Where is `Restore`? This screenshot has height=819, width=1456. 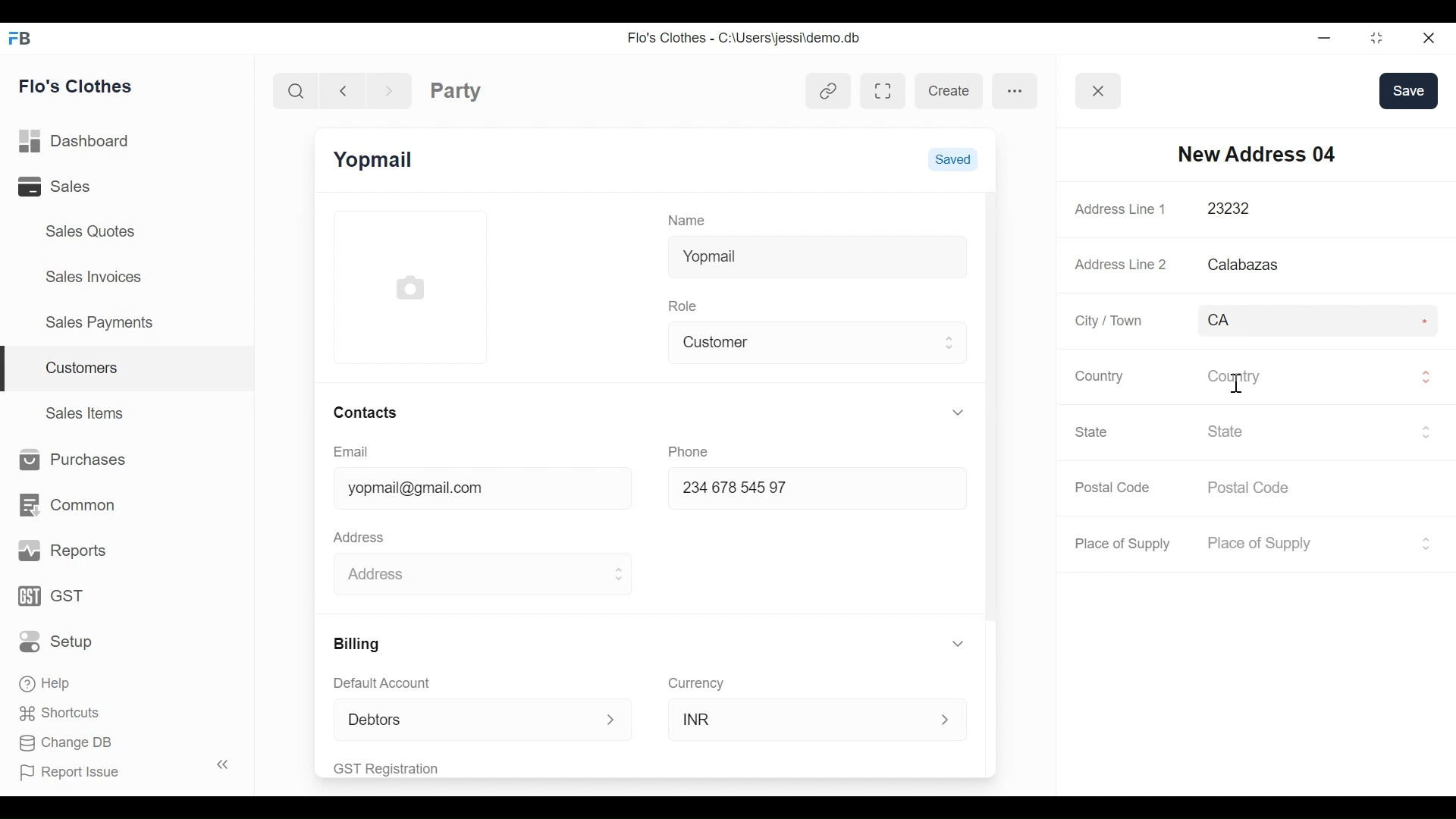
Restore is located at coordinates (1372, 38).